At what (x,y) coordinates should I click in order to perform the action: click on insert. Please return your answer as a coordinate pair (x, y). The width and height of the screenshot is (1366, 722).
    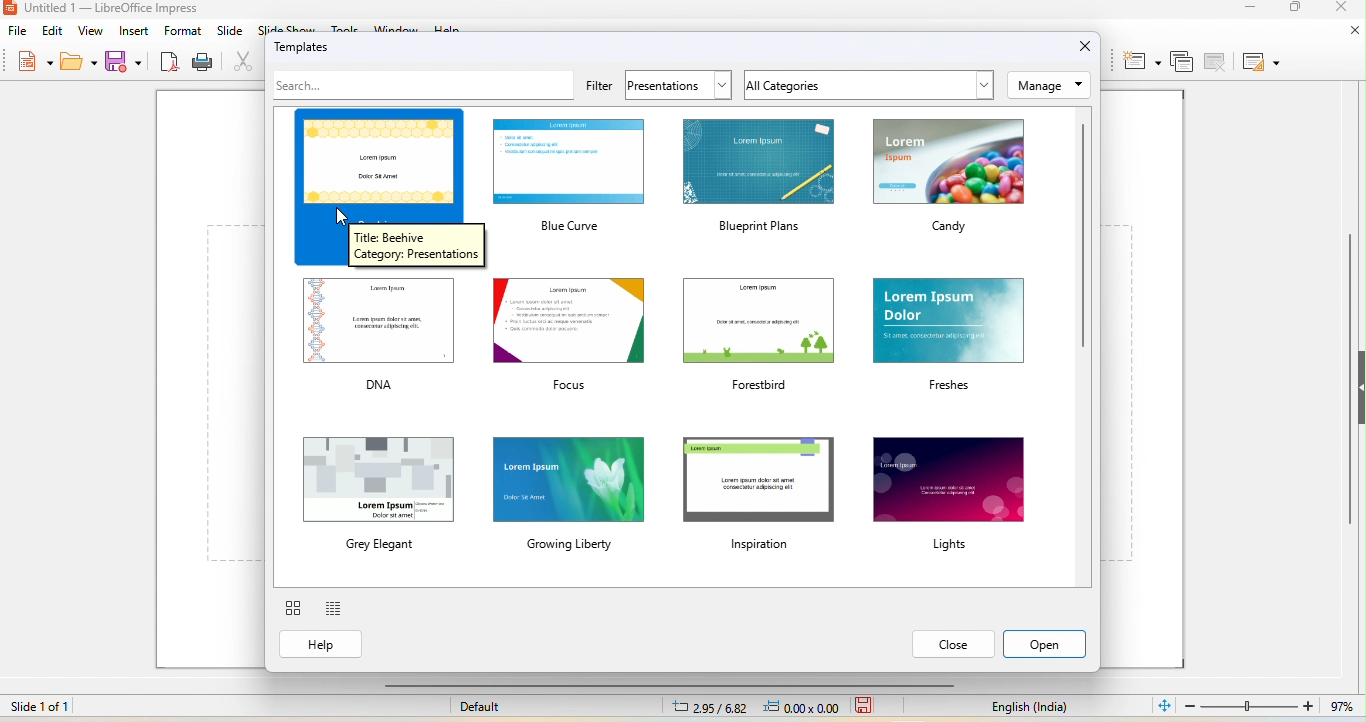
    Looking at the image, I should click on (133, 30).